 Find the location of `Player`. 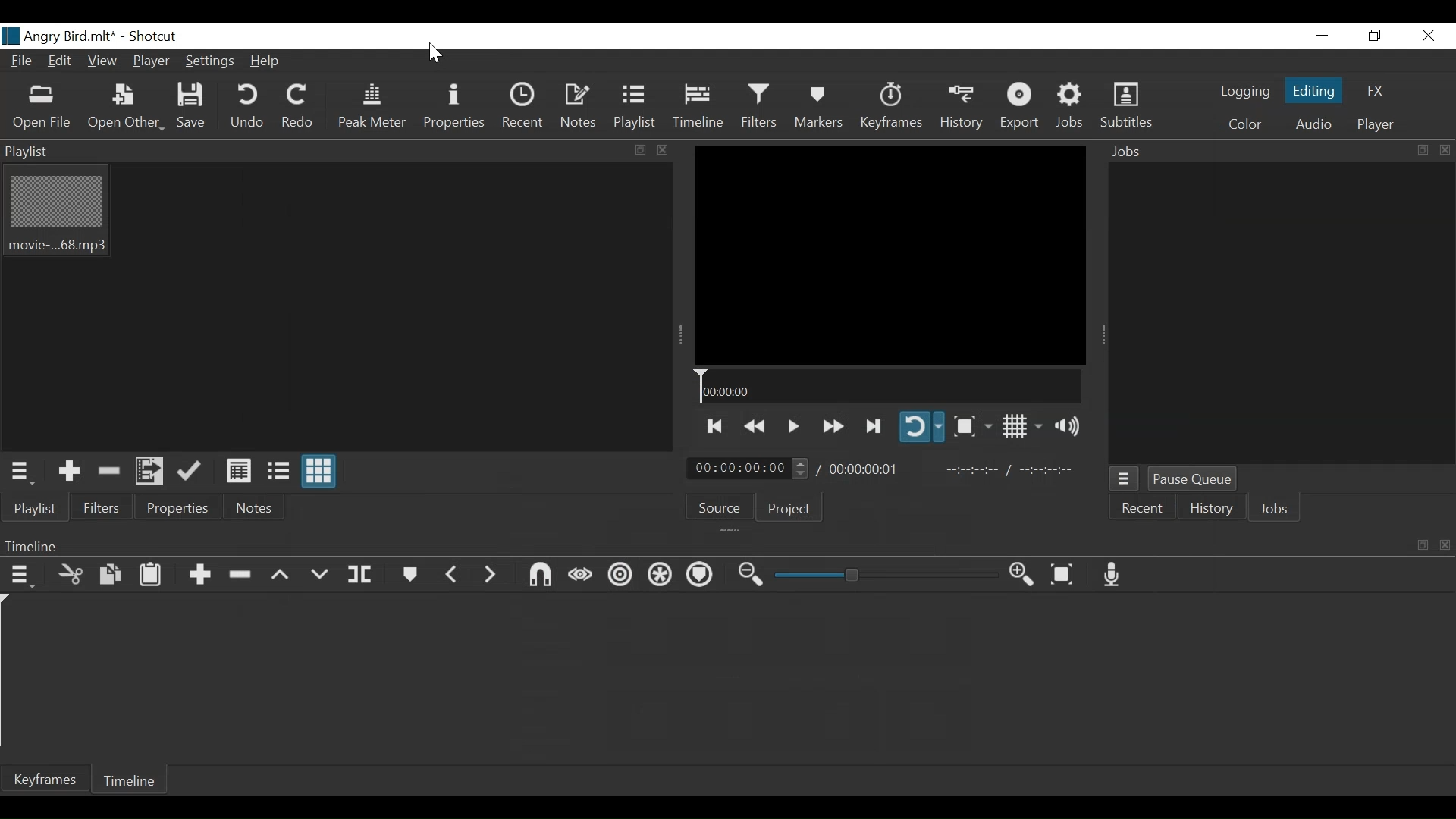

Player is located at coordinates (1373, 126).